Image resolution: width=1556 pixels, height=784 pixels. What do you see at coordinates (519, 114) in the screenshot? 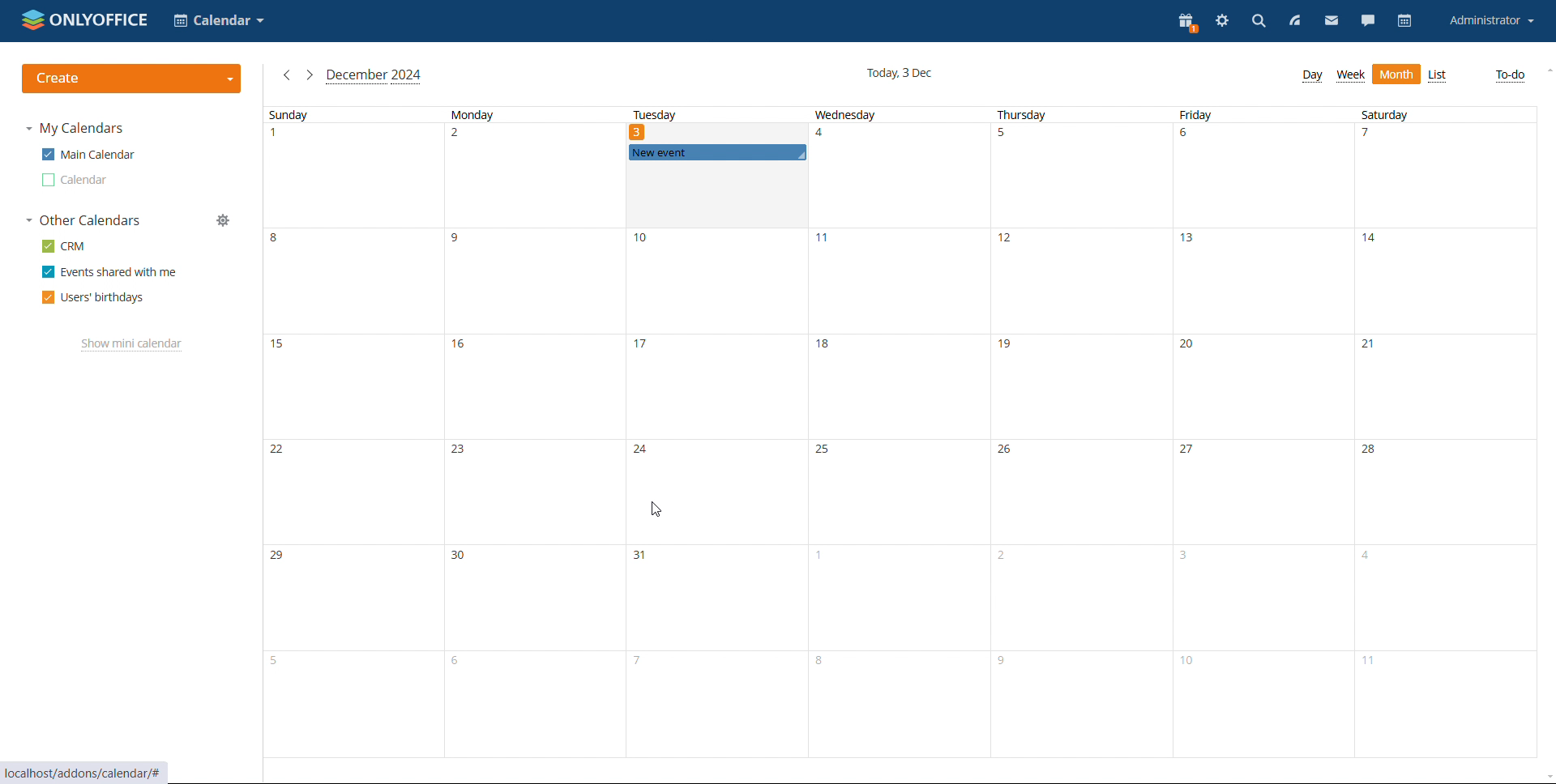
I see `monday` at bounding box center [519, 114].